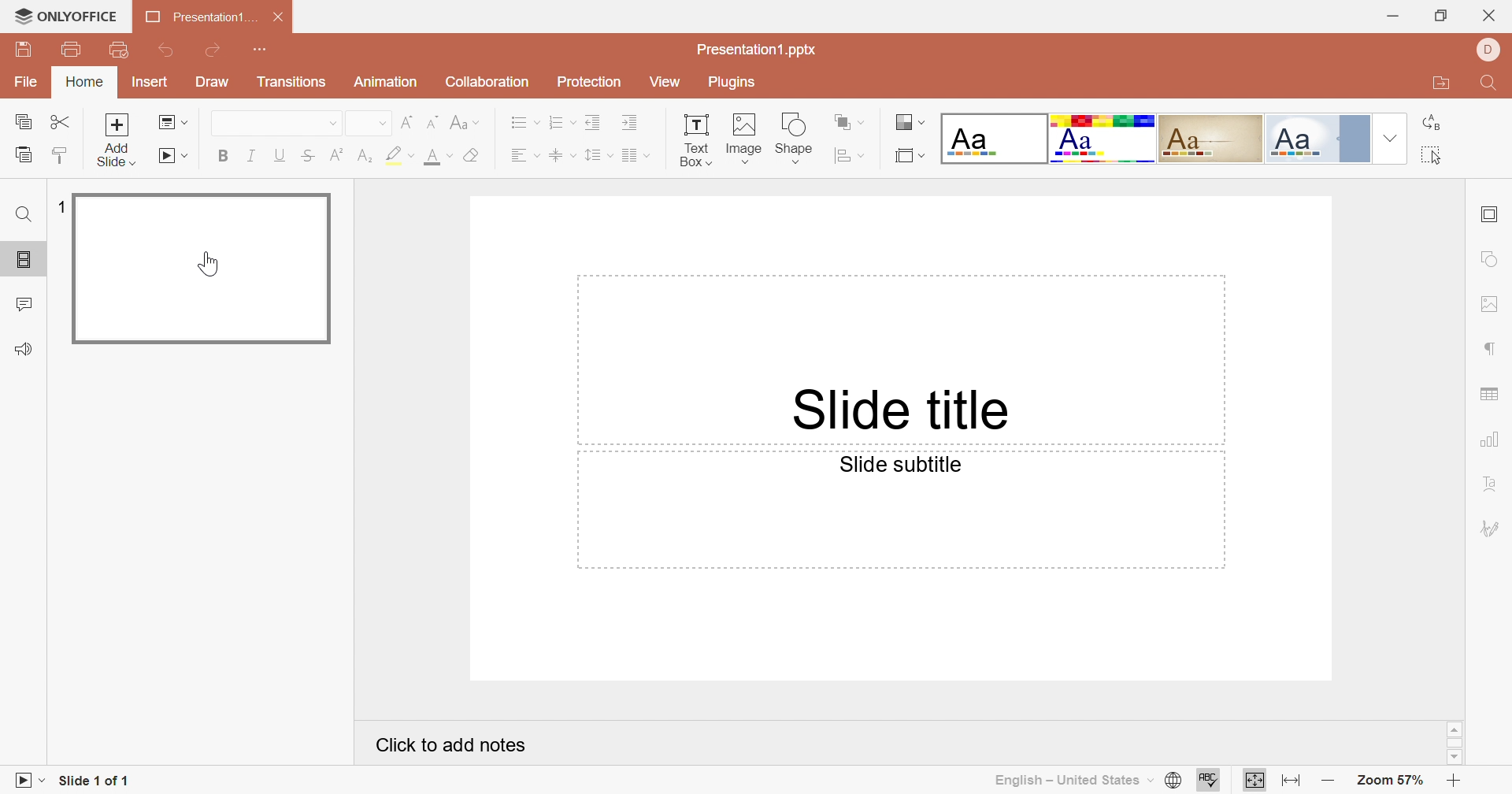 This screenshot has width=1512, height=794. What do you see at coordinates (23, 83) in the screenshot?
I see `File` at bounding box center [23, 83].